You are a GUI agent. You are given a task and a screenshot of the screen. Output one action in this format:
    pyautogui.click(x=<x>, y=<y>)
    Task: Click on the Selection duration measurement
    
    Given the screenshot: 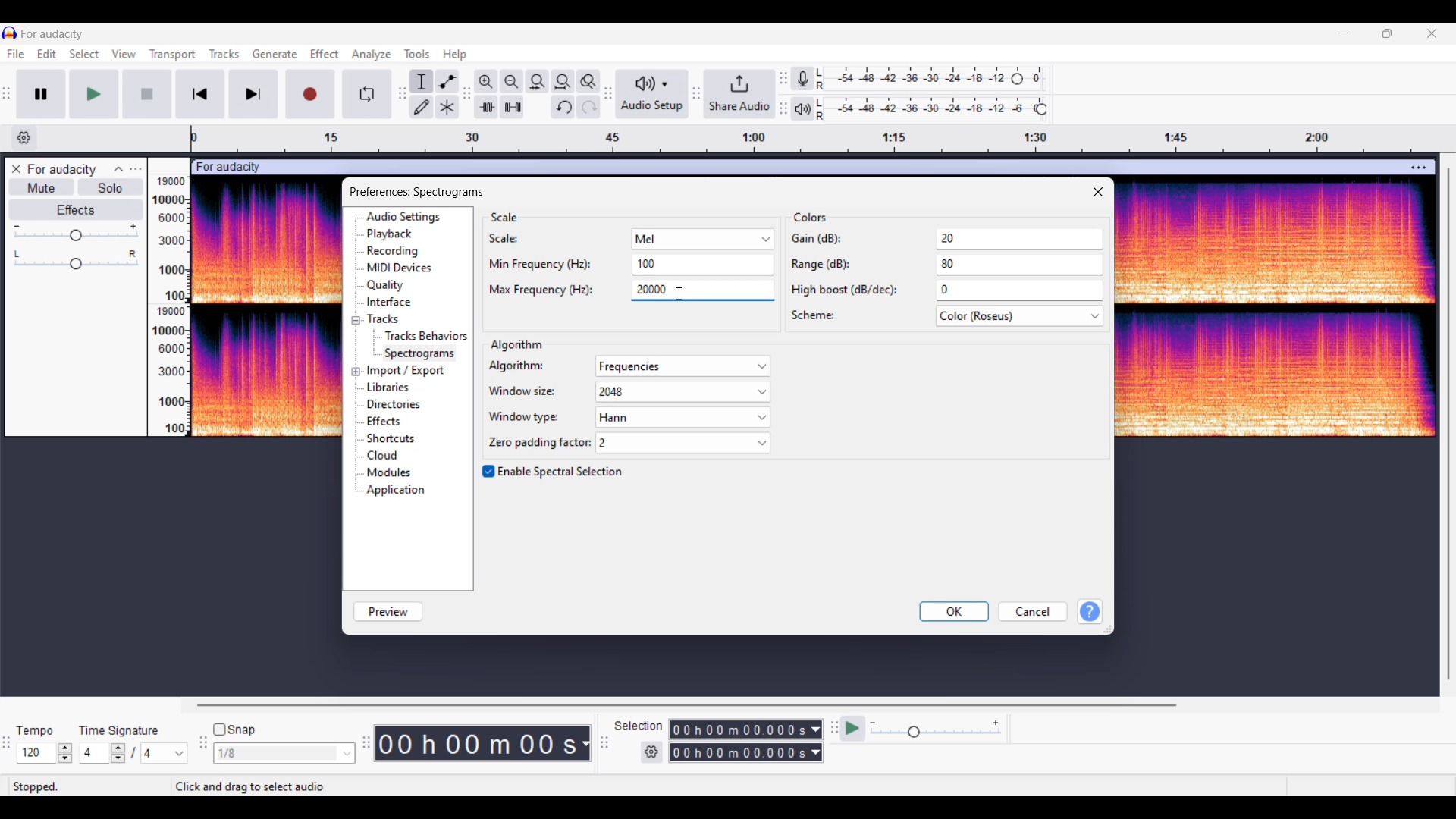 What is the action you would take?
    pyautogui.click(x=816, y=741)
    